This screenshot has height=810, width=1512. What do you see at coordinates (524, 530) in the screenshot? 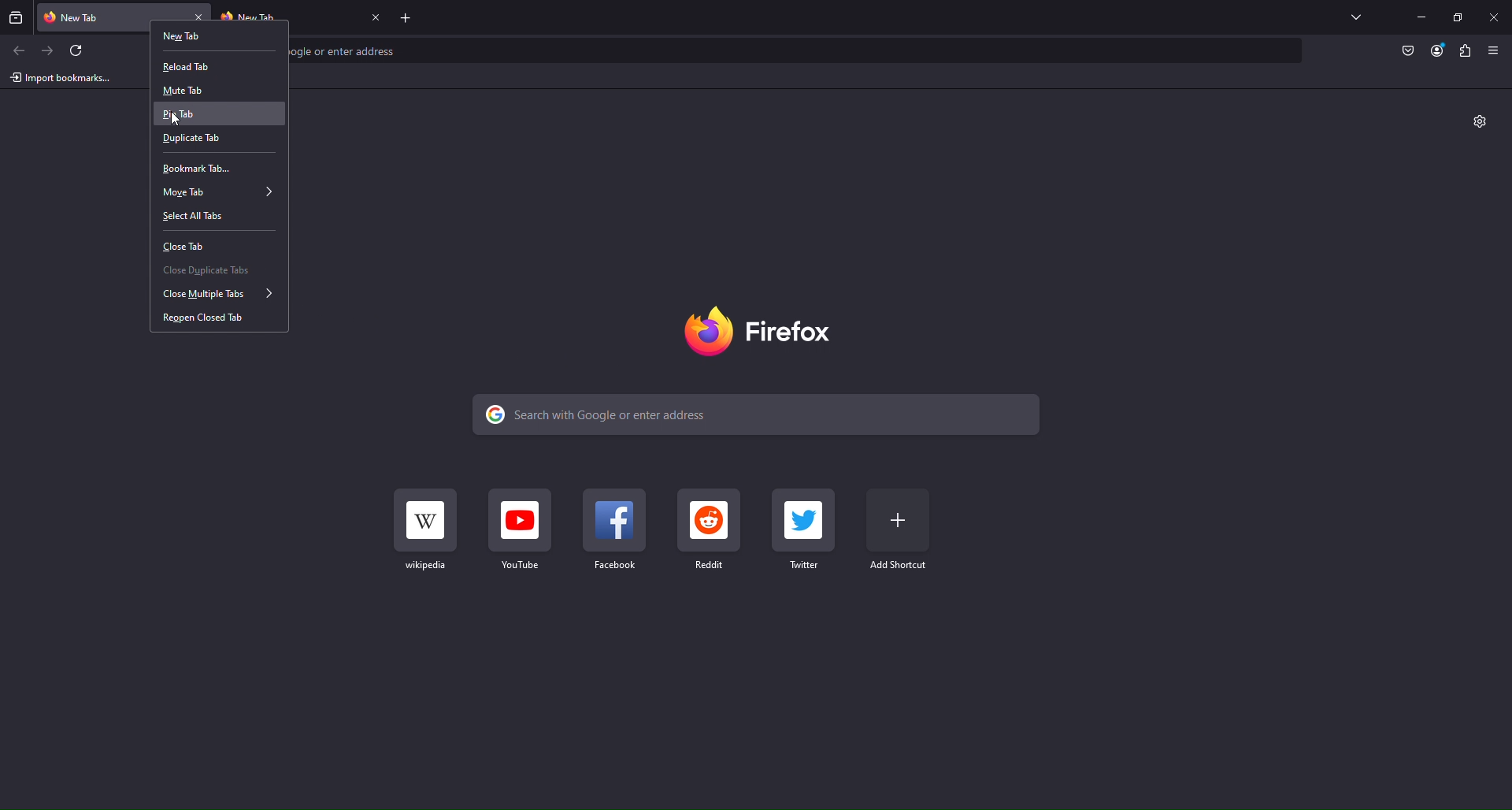
I see `Youtube Shortcut` at bounding box center [524, 530].